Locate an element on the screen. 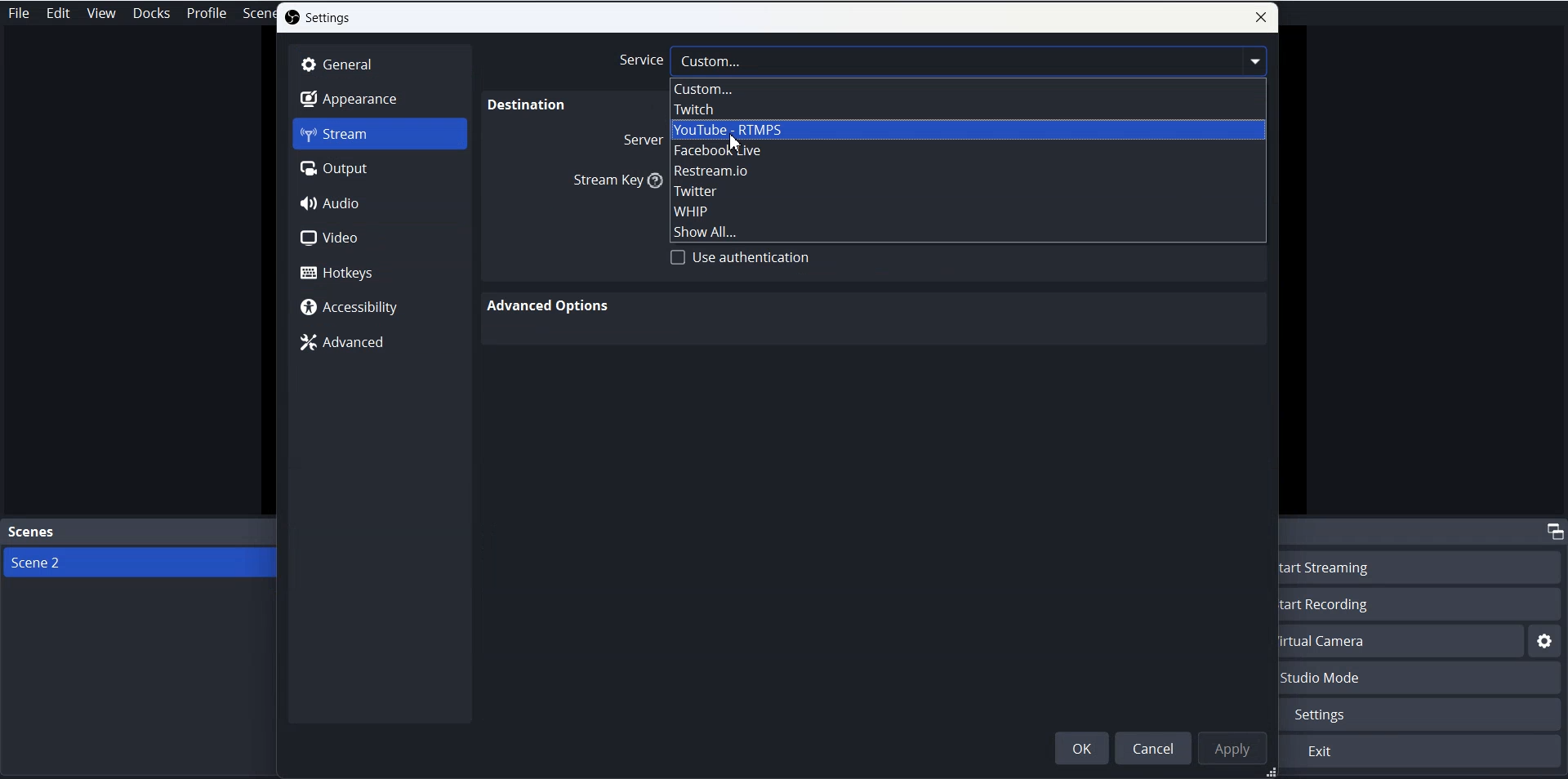  Appearance is located at coordinates (380, 98).